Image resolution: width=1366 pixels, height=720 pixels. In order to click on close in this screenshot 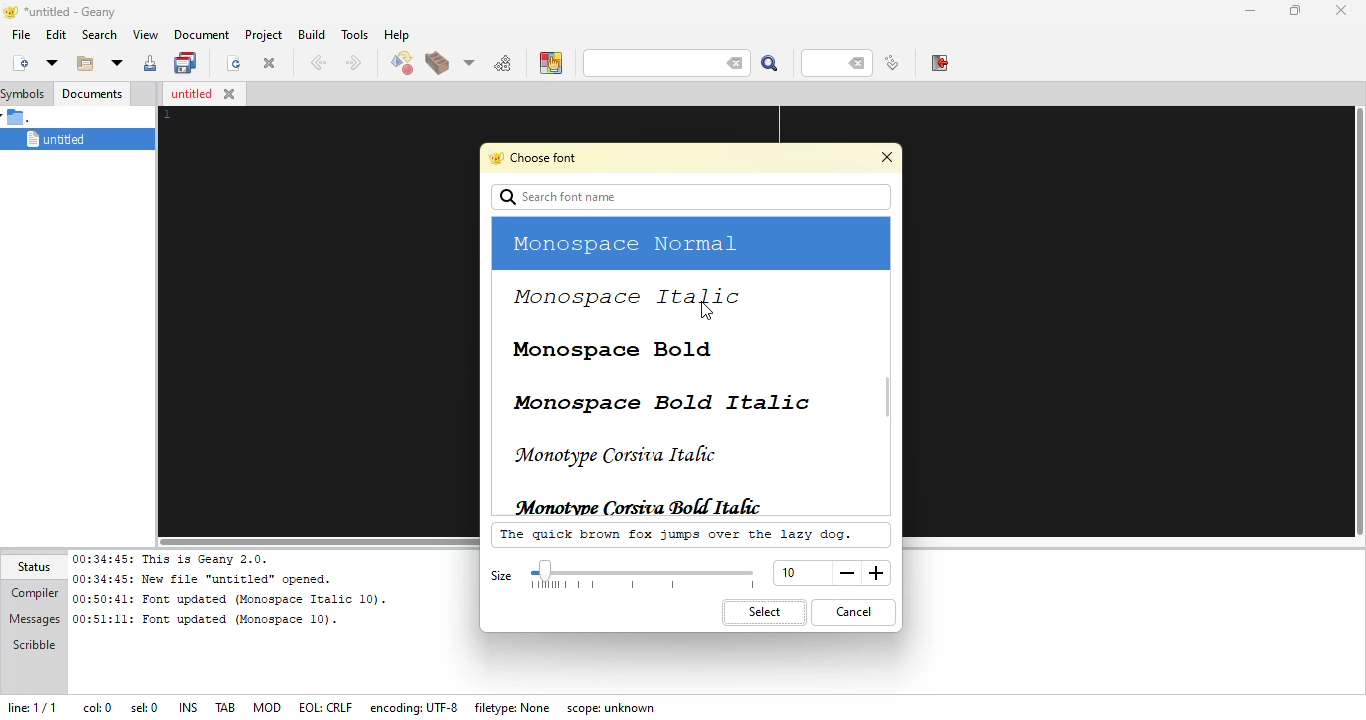, I will do `click(230, 94)`.